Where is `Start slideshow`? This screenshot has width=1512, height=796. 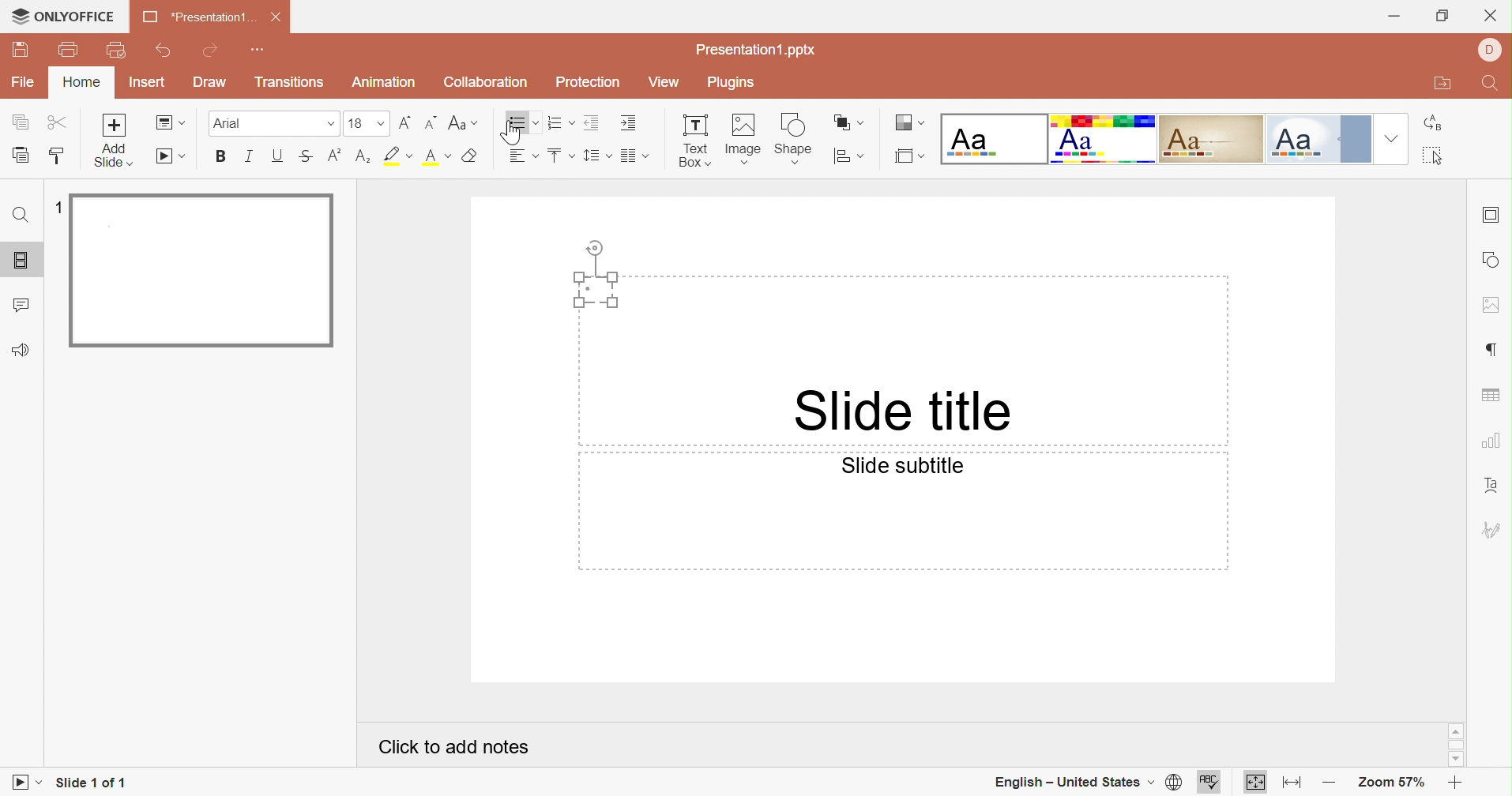 Start slideshow is located at coordinates (171, 157).